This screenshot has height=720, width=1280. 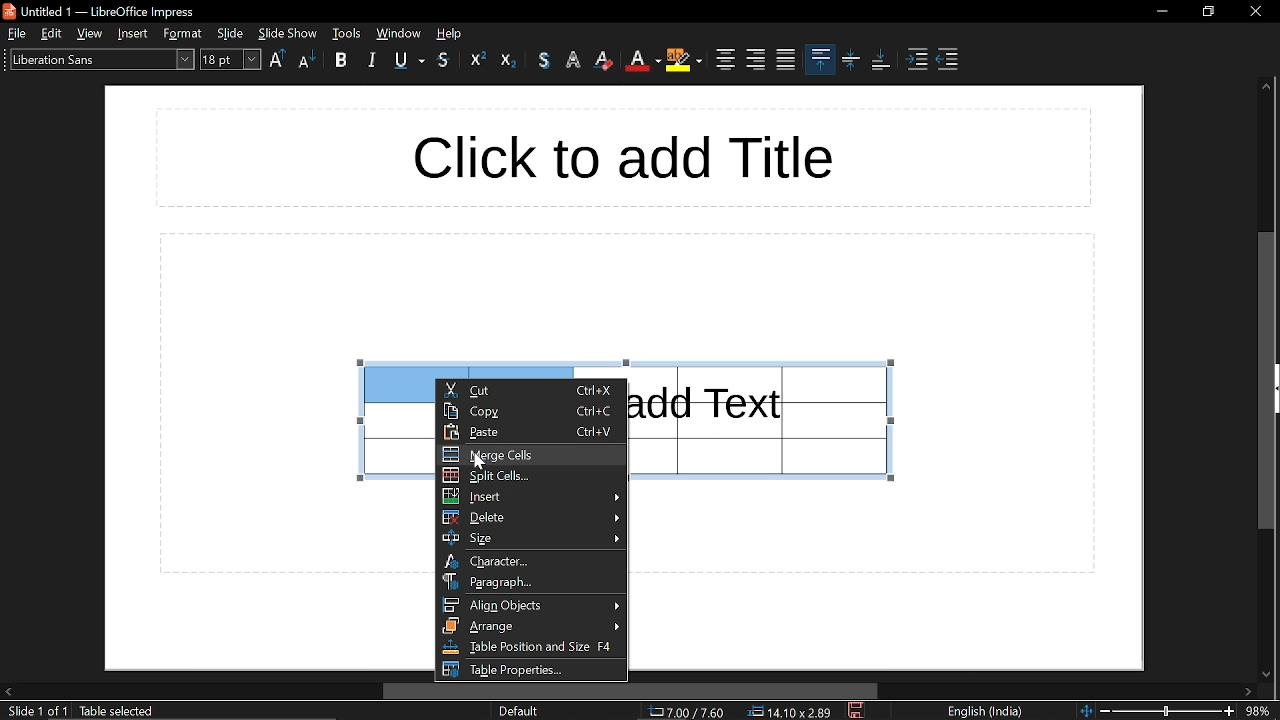 I want to click on Delete, so click(x=529, y=518).